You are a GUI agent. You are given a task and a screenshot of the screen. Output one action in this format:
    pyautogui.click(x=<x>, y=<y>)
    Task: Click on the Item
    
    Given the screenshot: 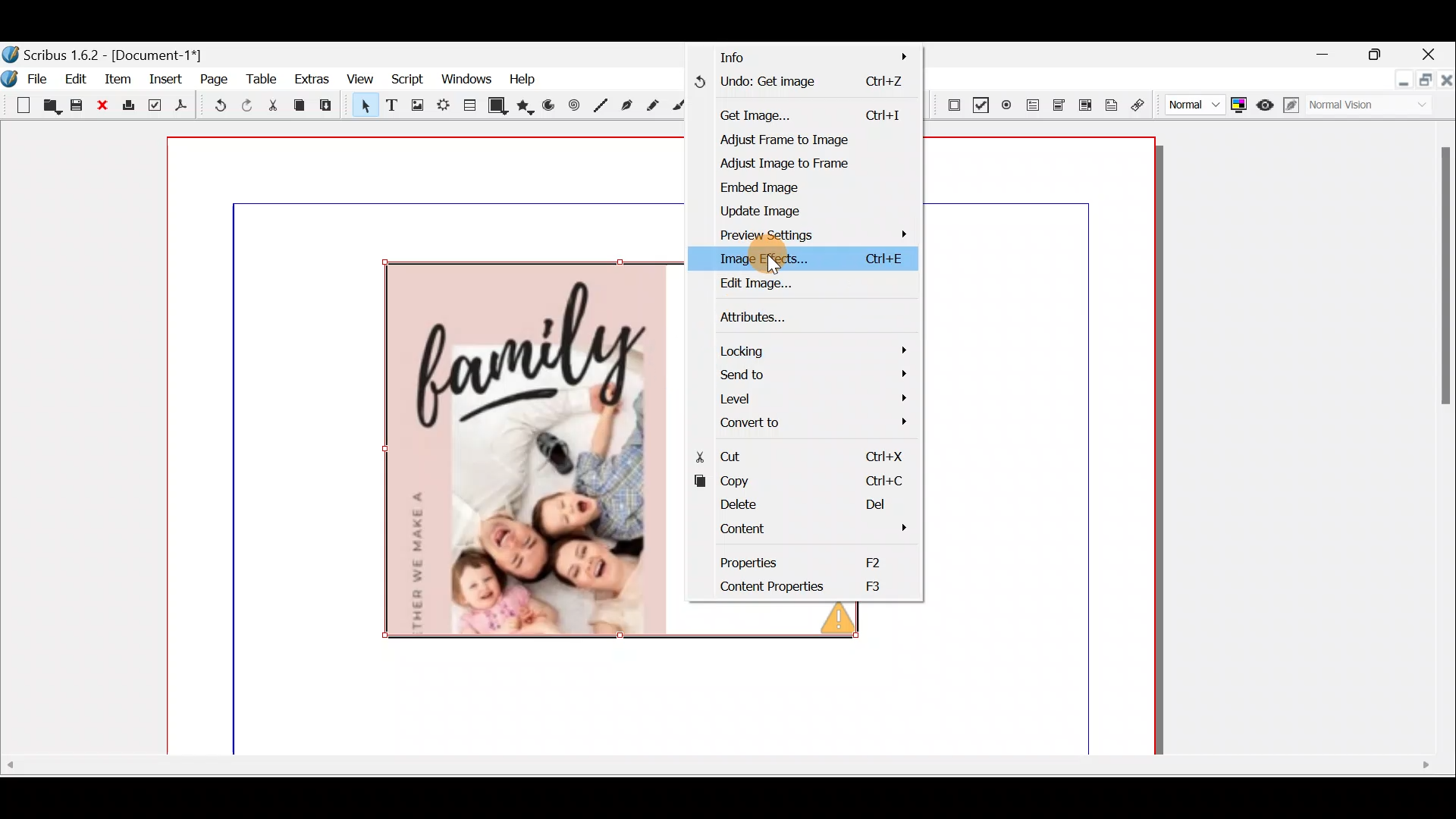 What is the action you would take?
    pyautogui.click(x=118, y=78)
    